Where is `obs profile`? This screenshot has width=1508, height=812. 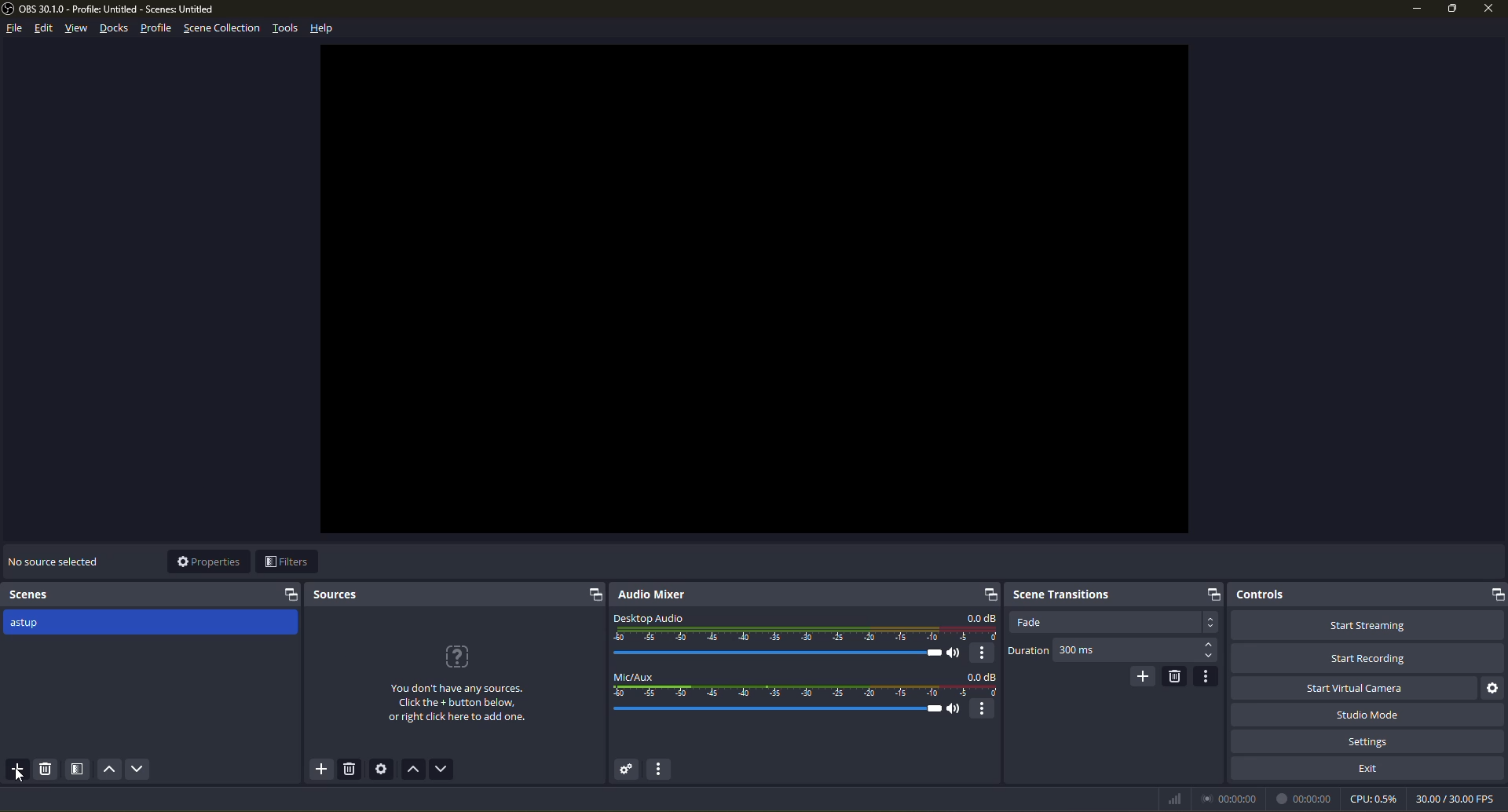
obs profile is located at coordinates (112, 9).